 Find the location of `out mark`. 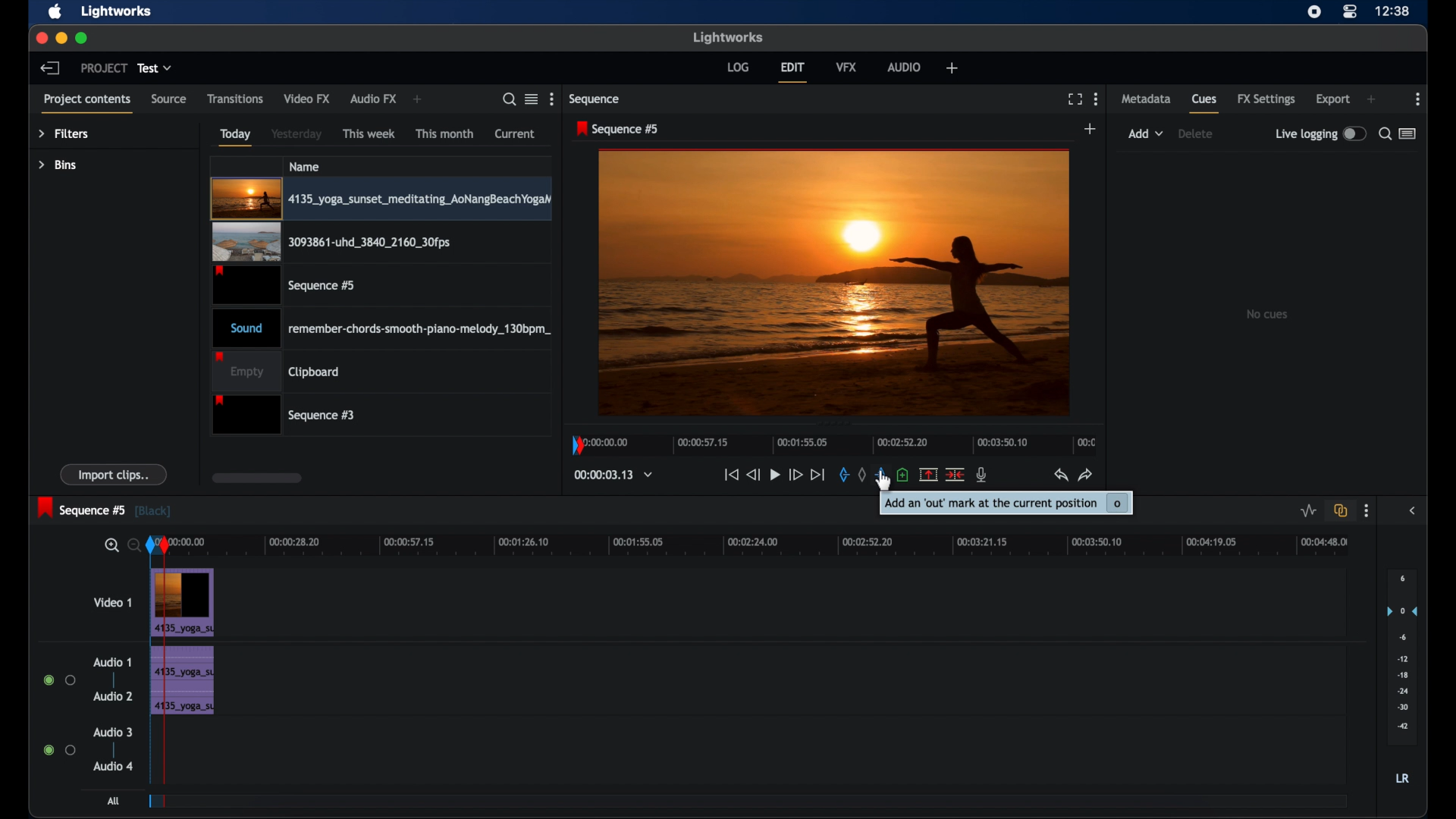

out mark is located at coordinates (879, 474).